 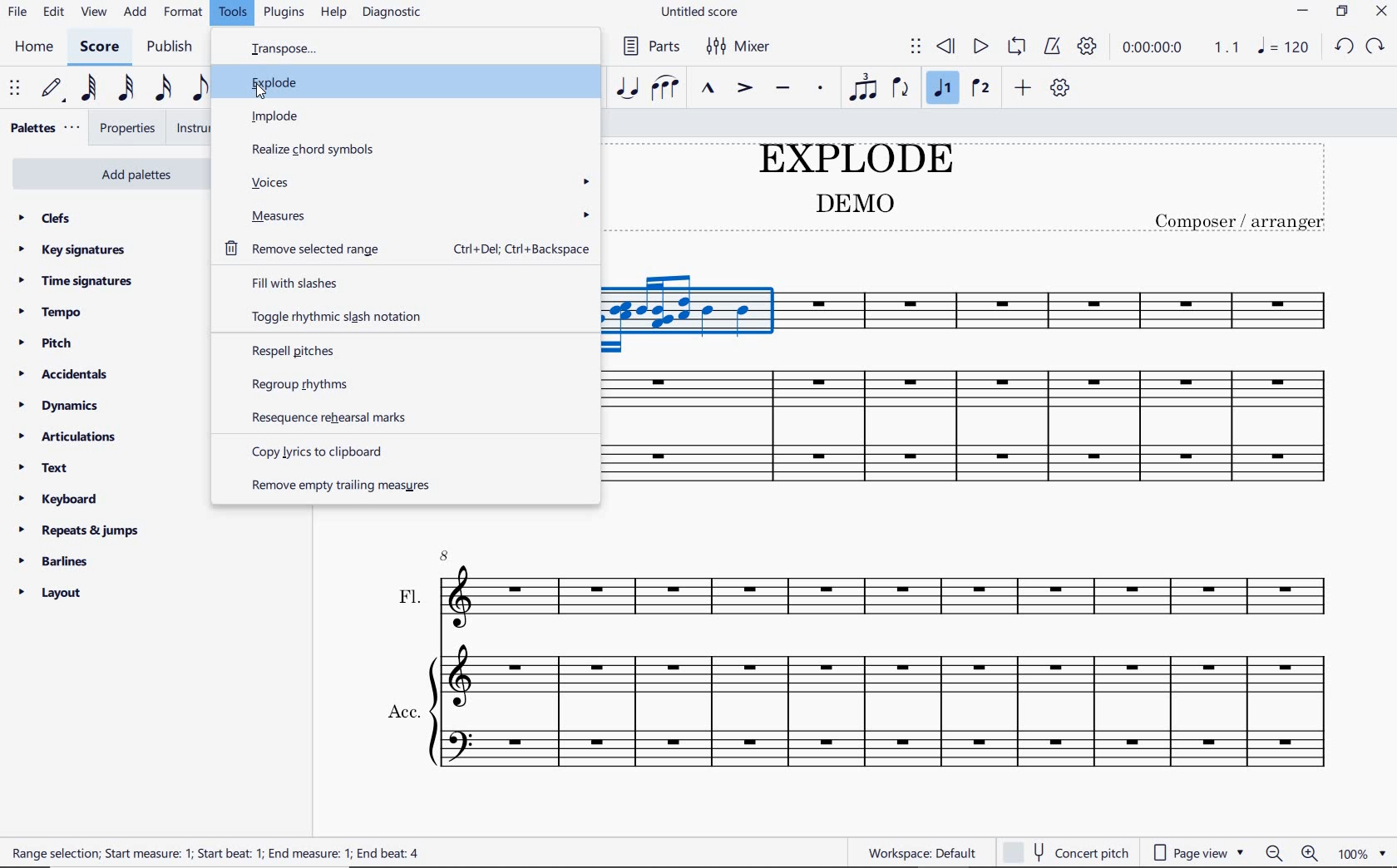 What do you see at coordinates (972, 428) in the screenshot?
I see `Instrument: Accordion` at bounding box center [972, 428].